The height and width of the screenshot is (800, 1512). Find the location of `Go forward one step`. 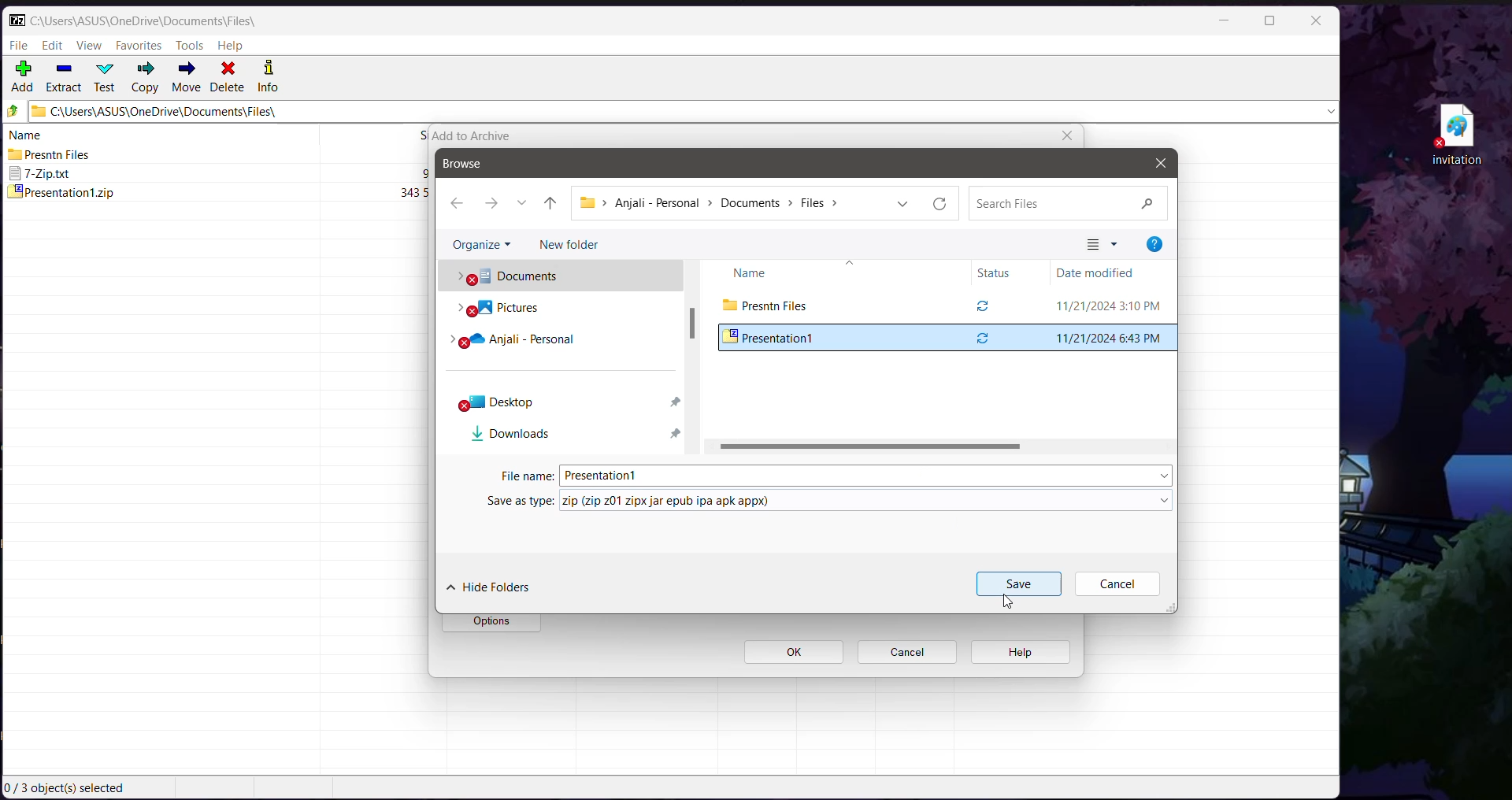

Go forward one step is located at coordinates (494, 204).